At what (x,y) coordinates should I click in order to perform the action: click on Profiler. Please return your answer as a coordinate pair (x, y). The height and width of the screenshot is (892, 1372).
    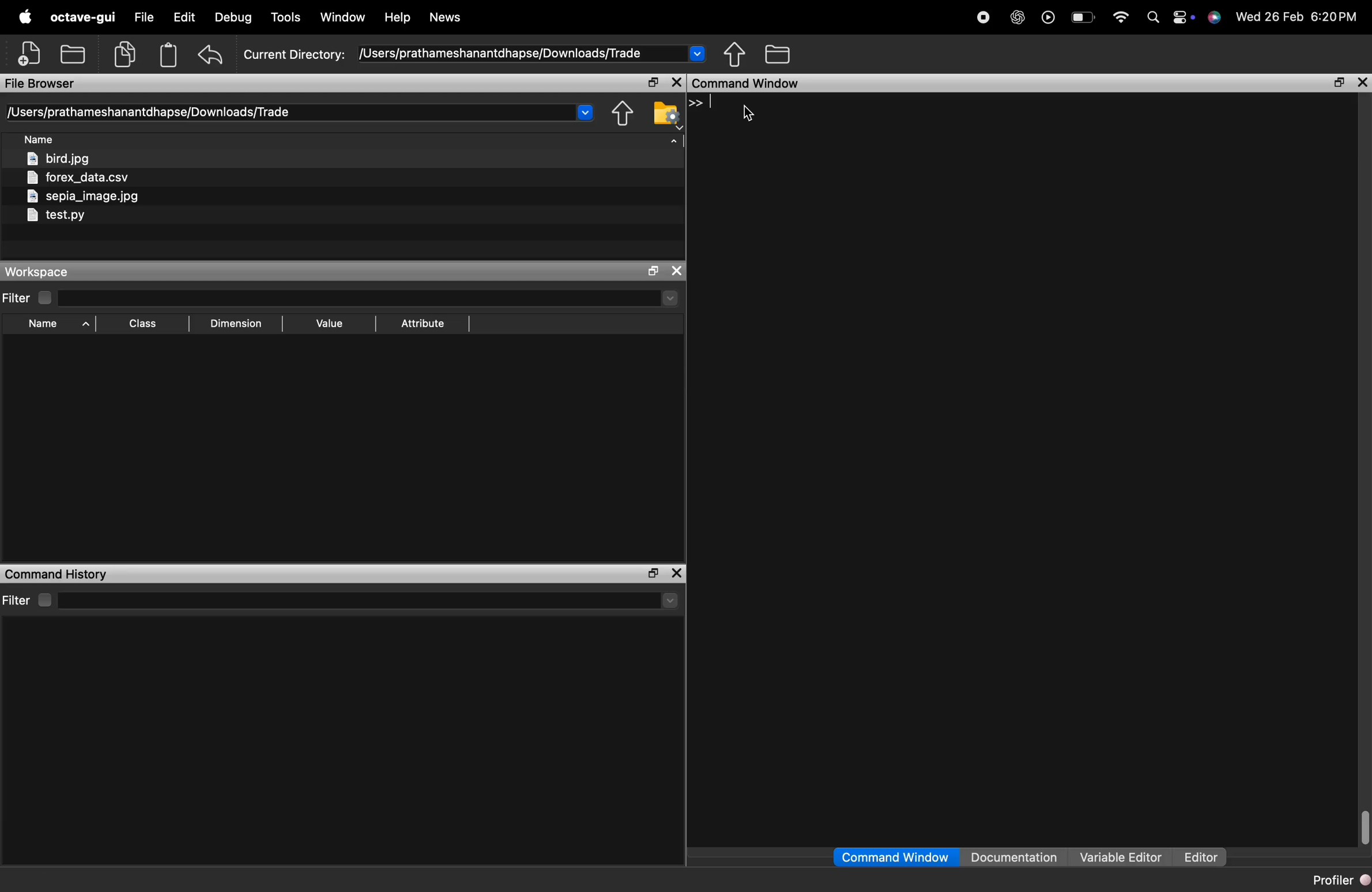
    Looking at the image, I should click on (1340, 879).